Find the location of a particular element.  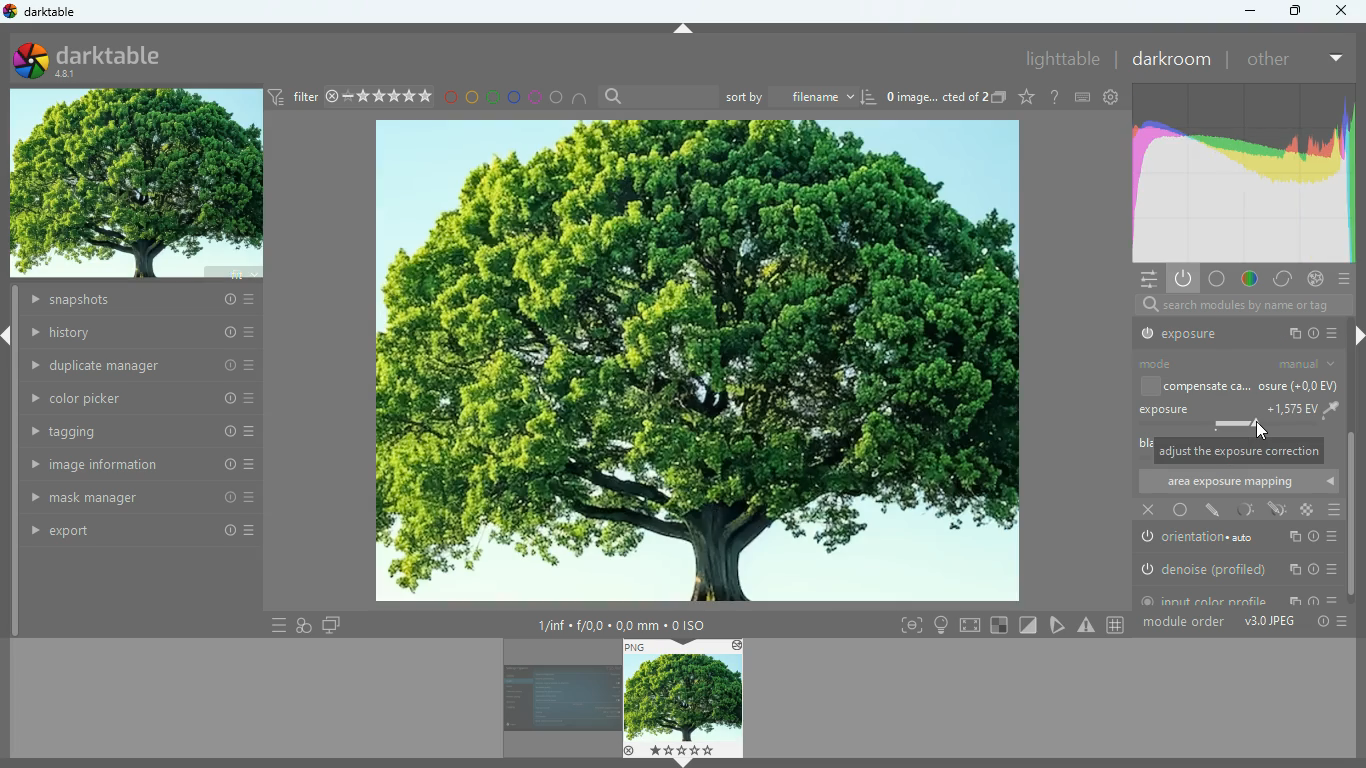

menu is located at coordinates (1344, 278).